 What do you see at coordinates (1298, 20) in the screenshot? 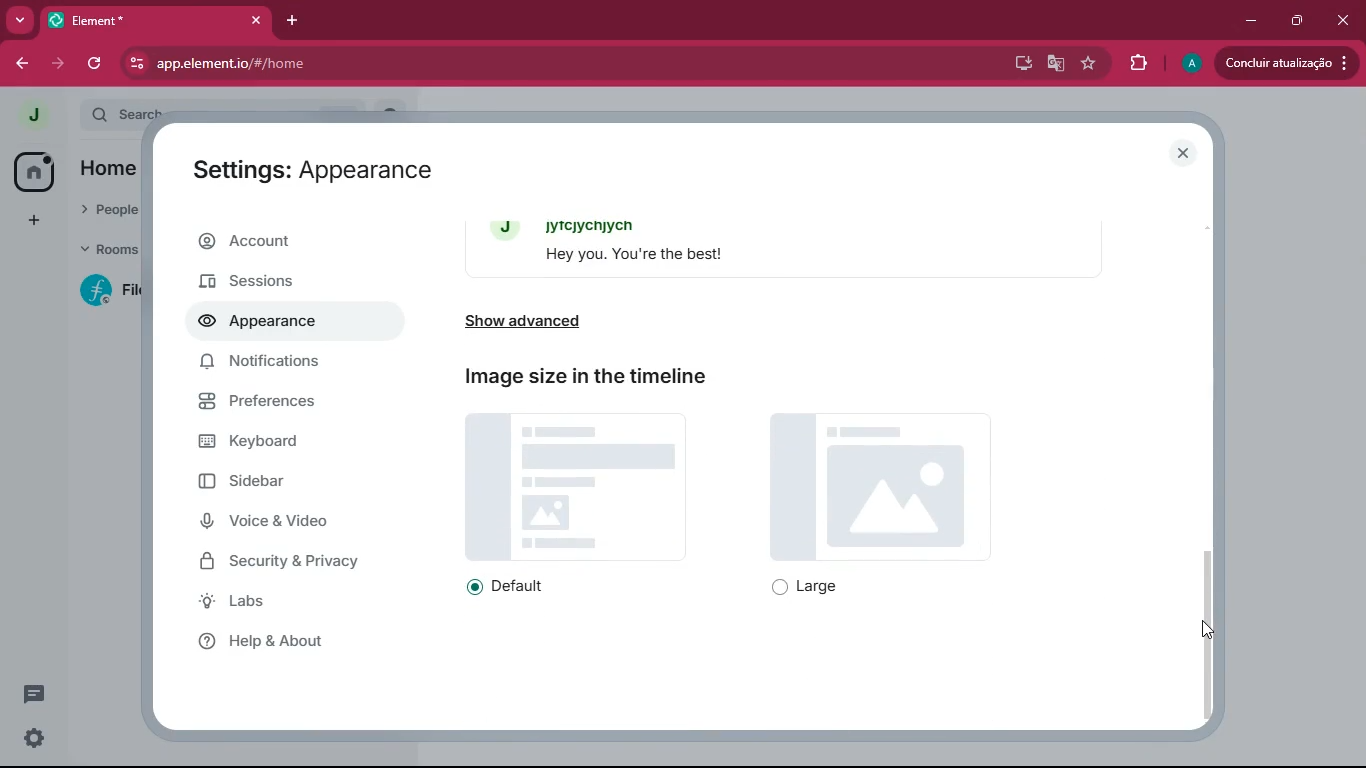
I see `maximize` at bounding box center [1298, 20].